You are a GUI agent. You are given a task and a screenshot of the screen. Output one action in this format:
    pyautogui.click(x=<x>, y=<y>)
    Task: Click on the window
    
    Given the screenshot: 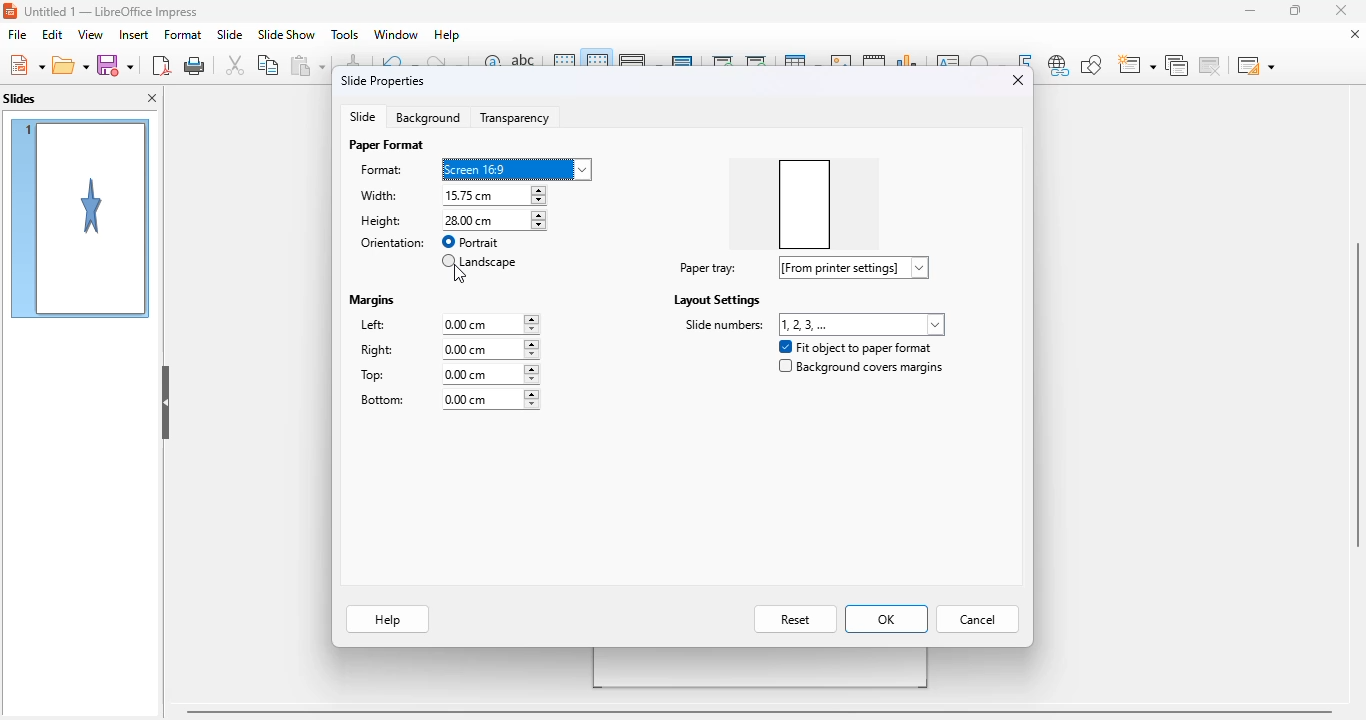 What is the action you would take?
    pyautogui.click(x=394, y=35)
    